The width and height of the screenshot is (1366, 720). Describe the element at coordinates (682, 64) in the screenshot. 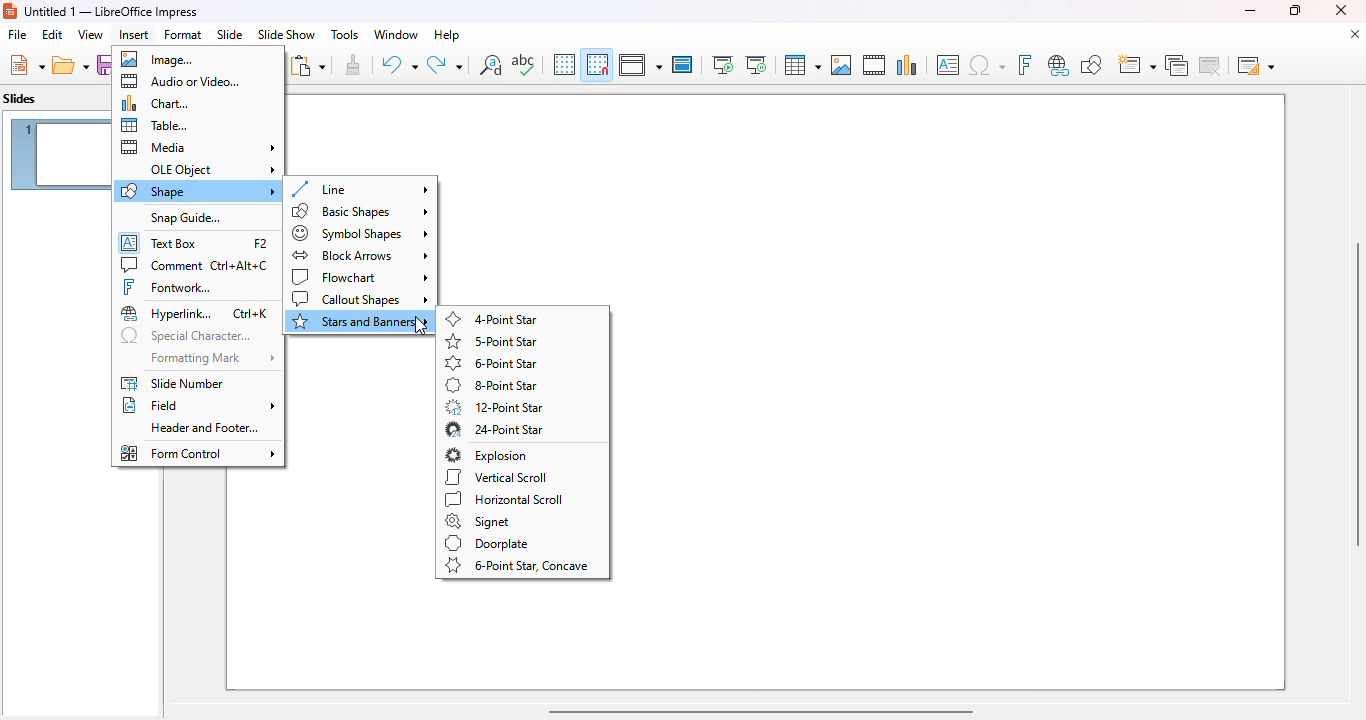

I see `master slide` at that location.